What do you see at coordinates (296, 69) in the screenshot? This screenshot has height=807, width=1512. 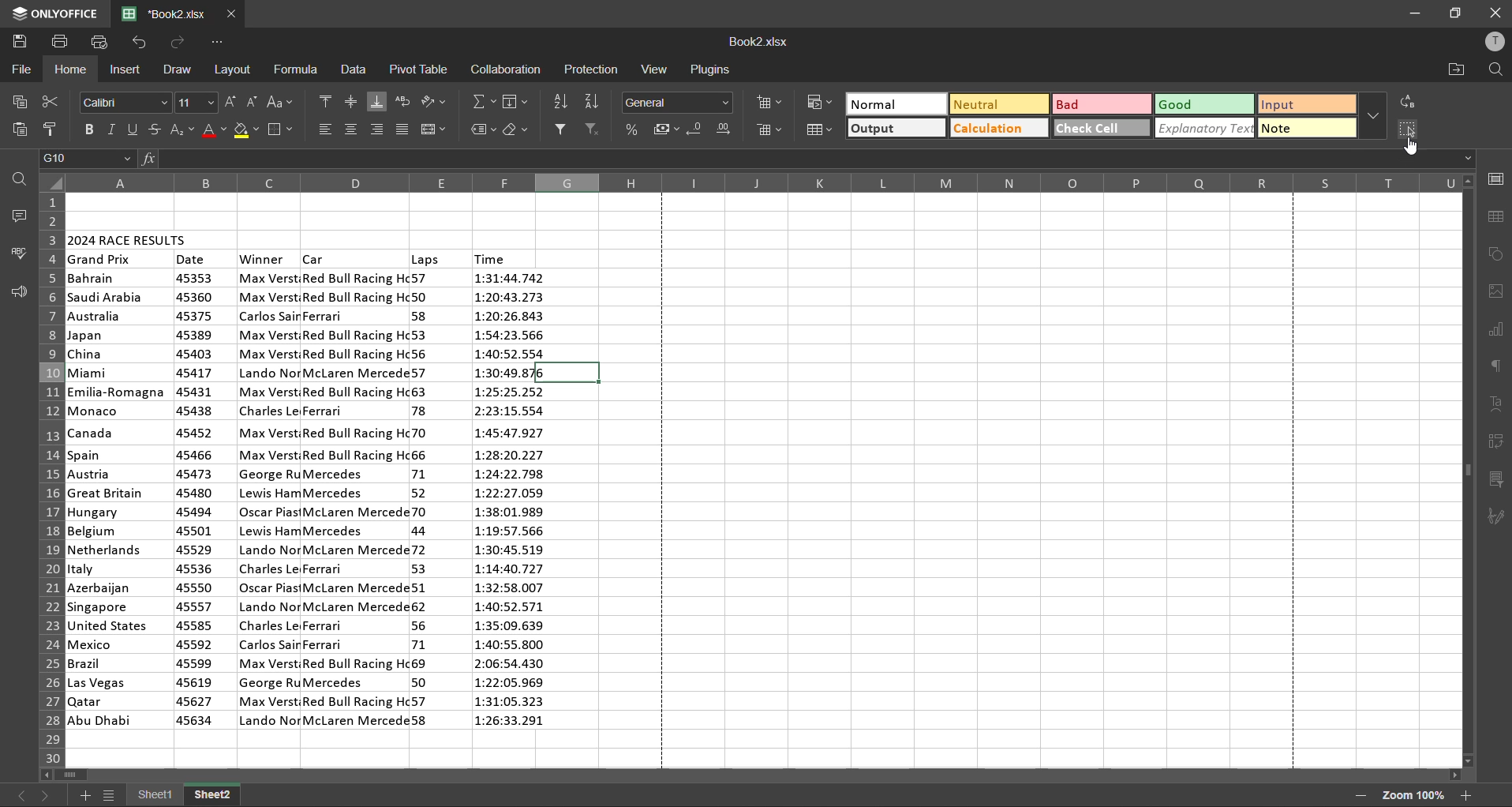 I see `formula` at bounding box center [296, 69].